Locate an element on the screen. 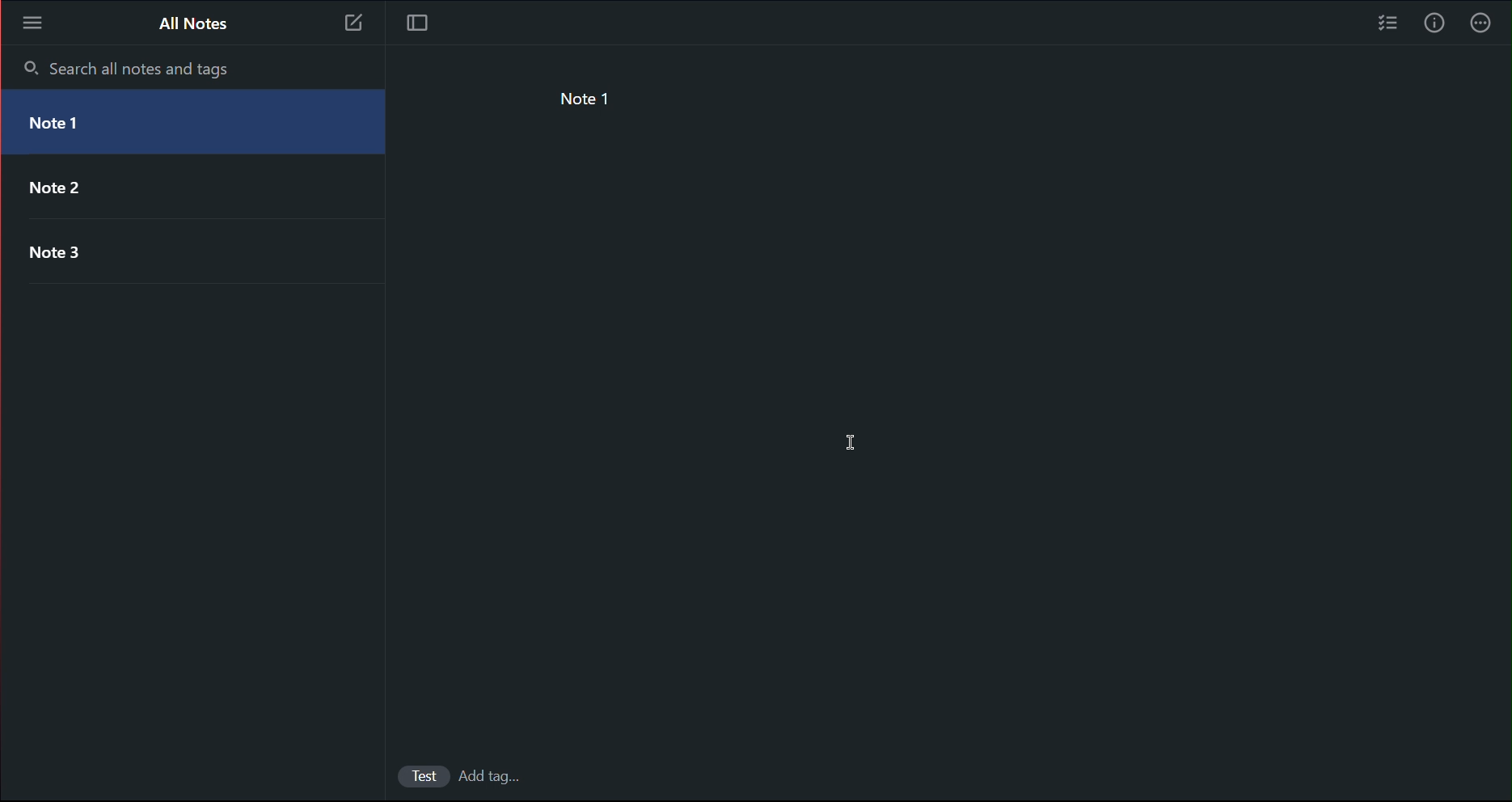 The height and width of the screenshot is (802, 1512). add Tags is located at coordinates (500, 775).